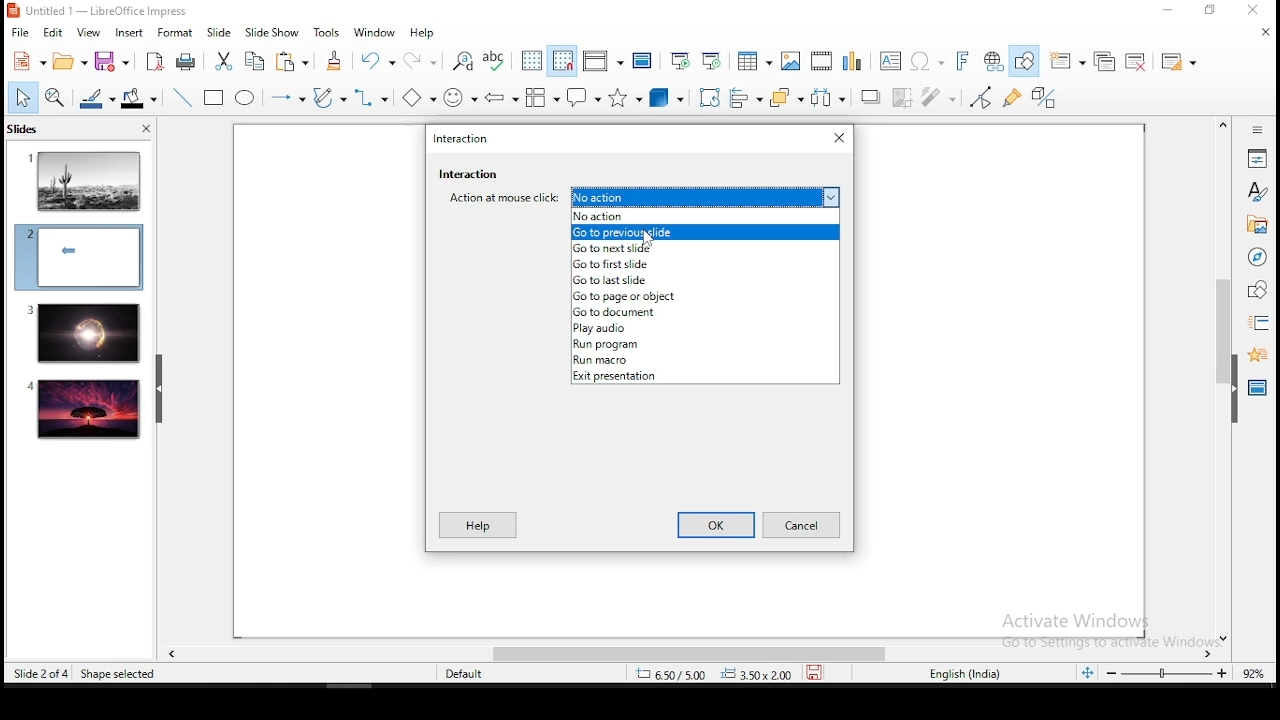 Image resolution: width=1280 pixels, height=720 pixels. I want to click on close, so click(144, 131).